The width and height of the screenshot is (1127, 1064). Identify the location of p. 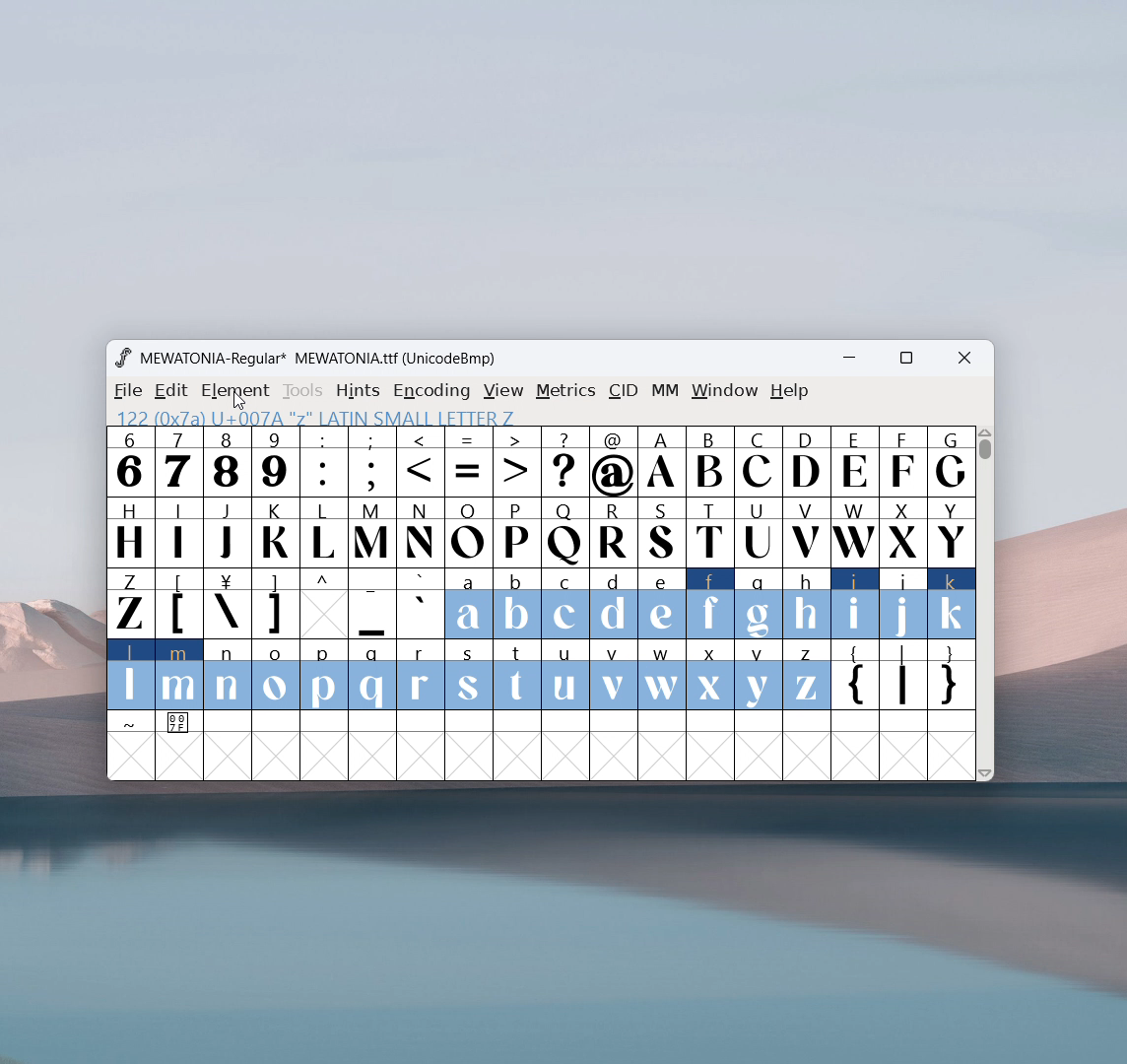
(326, 676).